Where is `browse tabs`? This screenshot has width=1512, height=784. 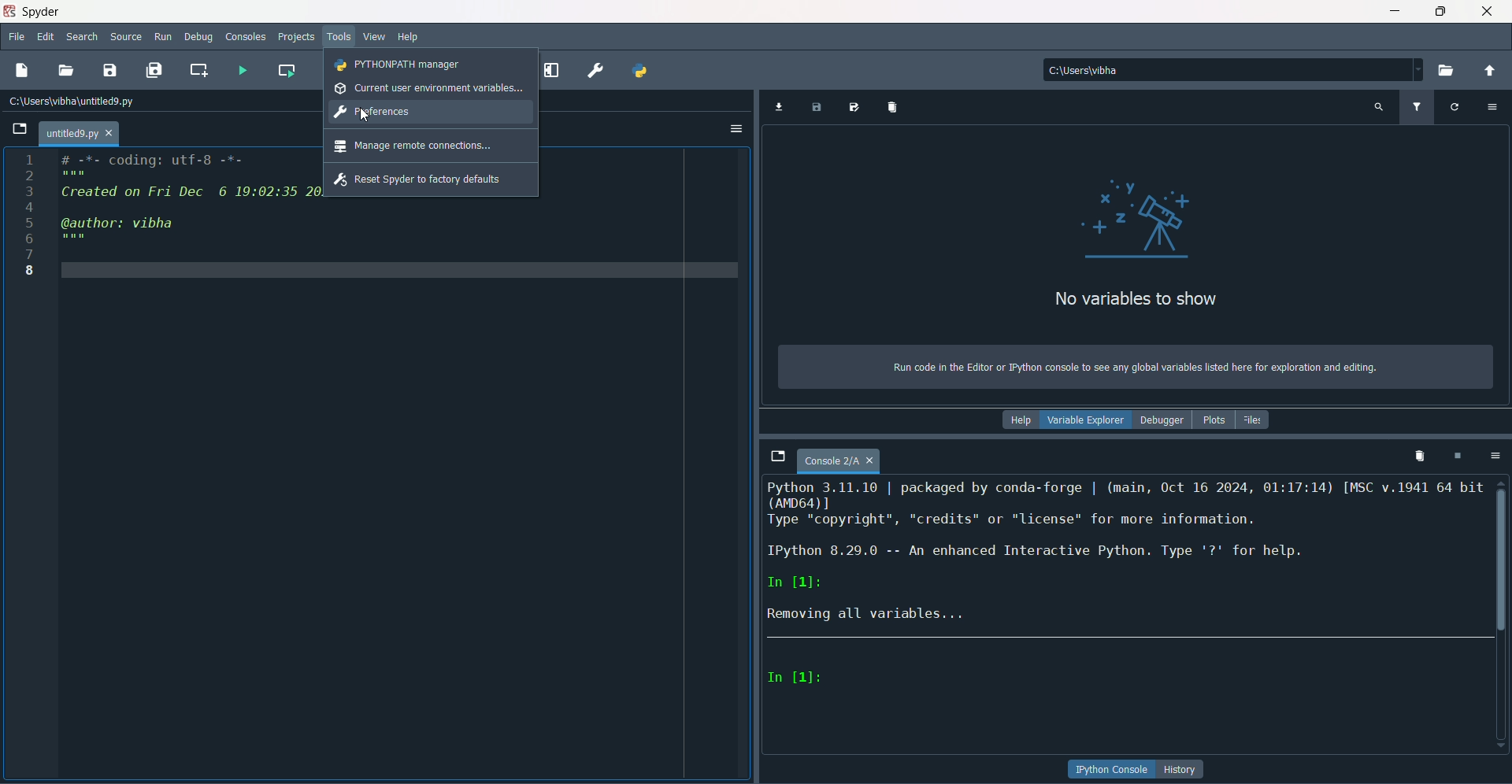 browse tabs is located at coordinates (777, 457).